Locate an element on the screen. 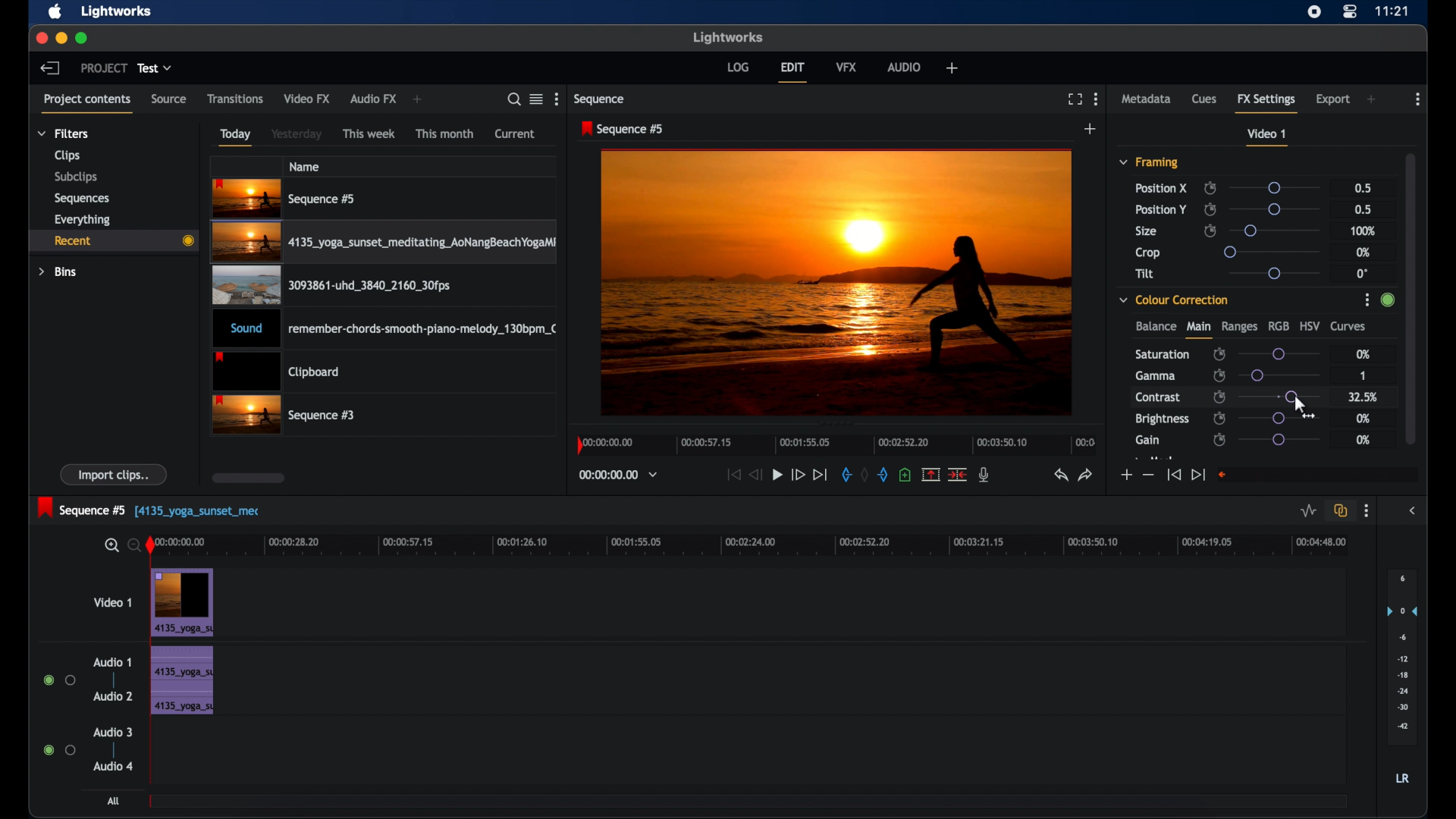 The height and width of the screenshot is (819, 1456). slider is located at coordinates (1278, 354).